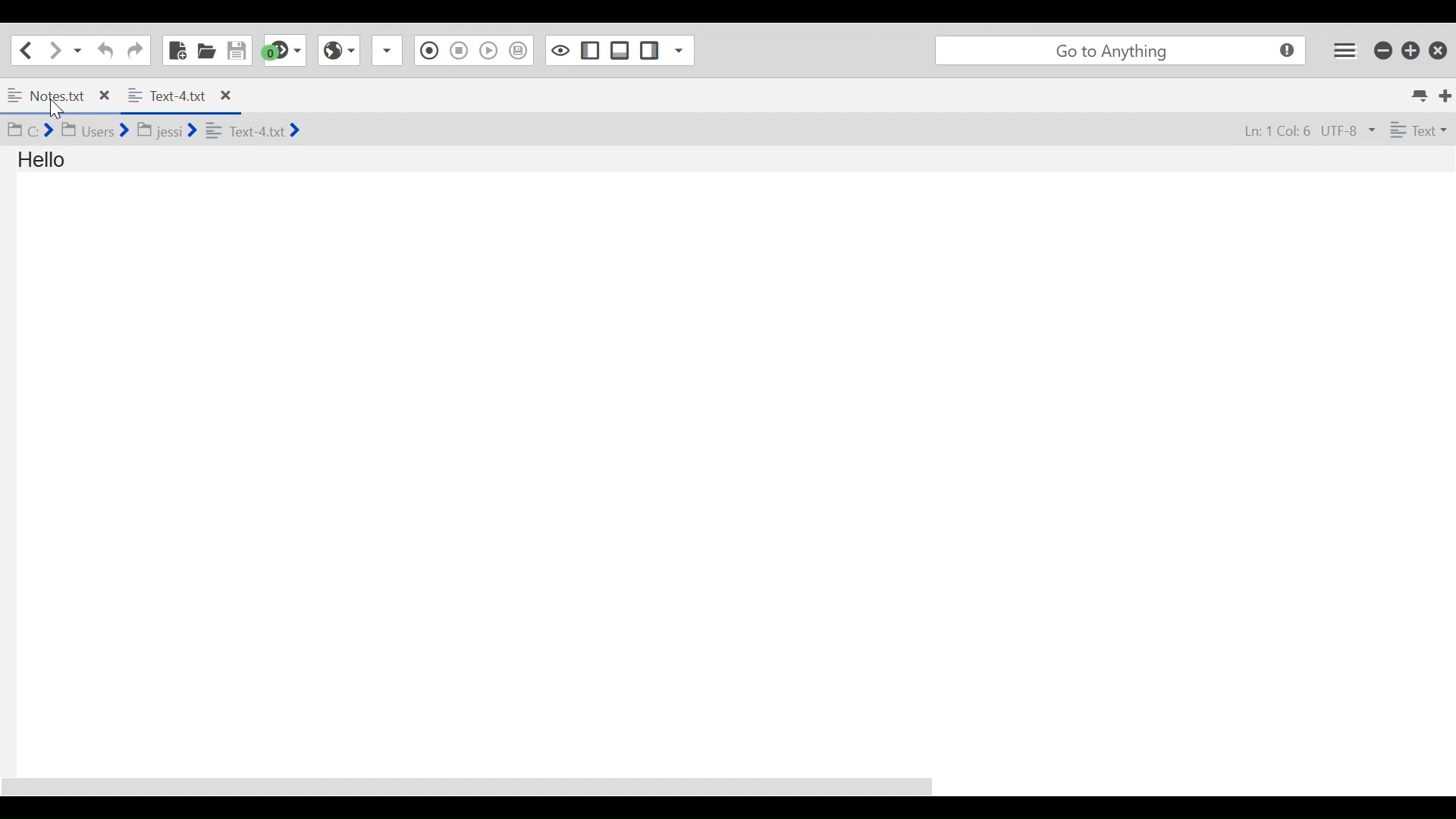 This screenshot has height=819, width=1456. I want to click on Close, so click(1437, 49).